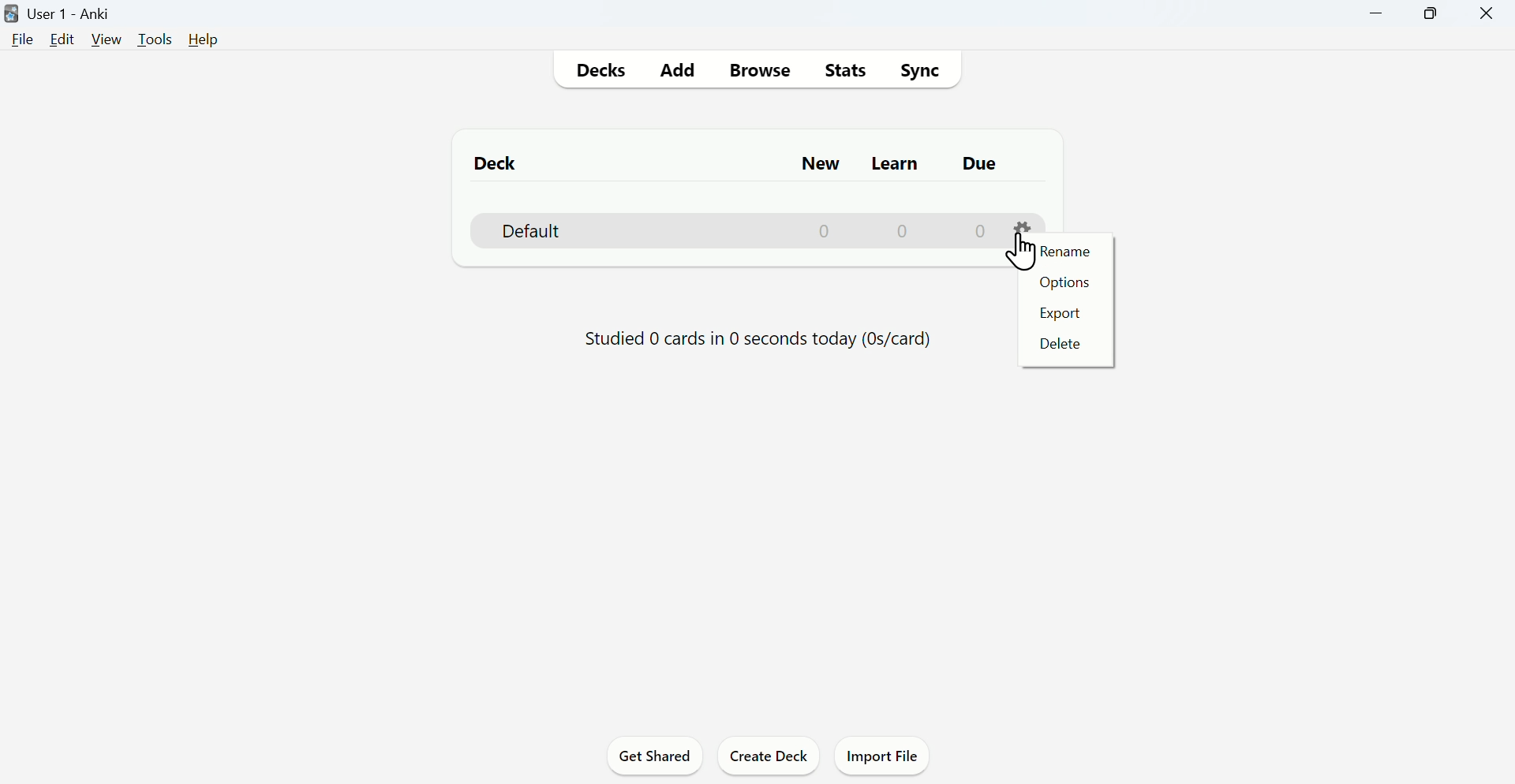 The image size is (1515, 784). What do you see at coordinates (978, 163) in the screenshot?
I see `Due` at bounding box center [978, 163].